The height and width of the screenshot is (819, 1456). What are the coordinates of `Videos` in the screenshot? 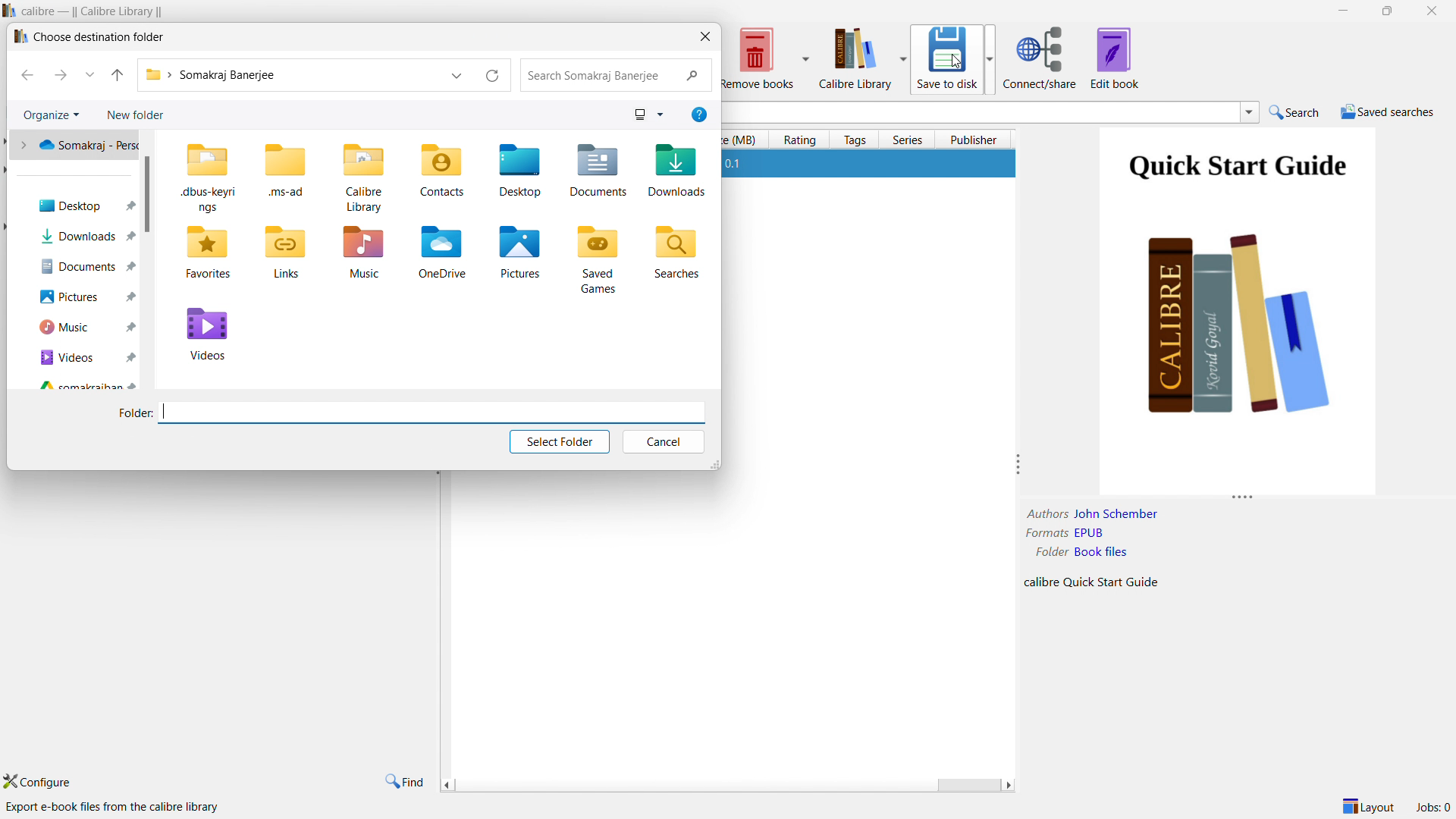 It's located at (84, 356).